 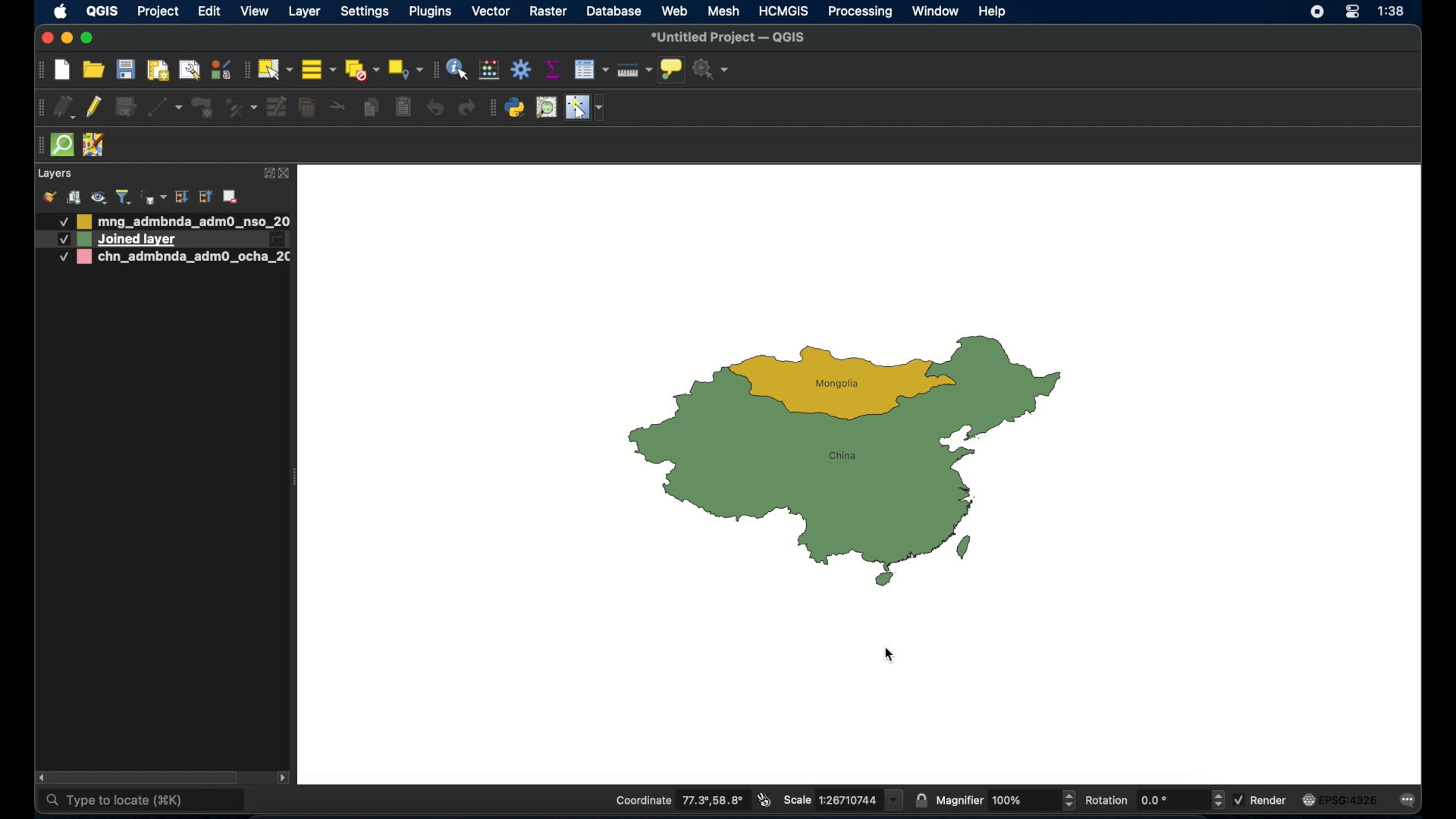 What do you see at coordinates (243, 70) in the screenshot?
I see `selection toolbar` at bounding box center [243, 70].